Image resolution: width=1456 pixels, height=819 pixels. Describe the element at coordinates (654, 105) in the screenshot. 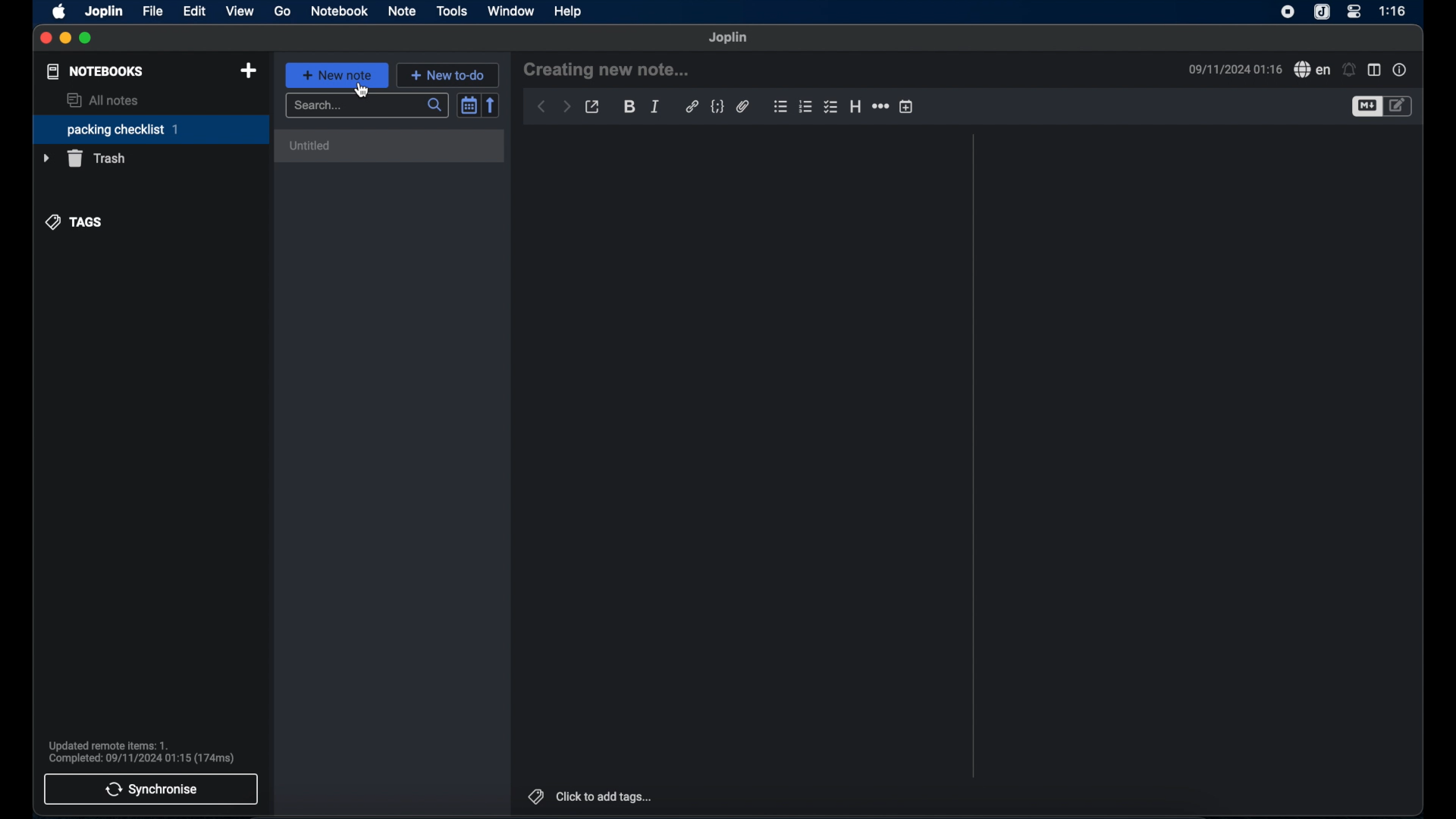

I see `italic` at that location.